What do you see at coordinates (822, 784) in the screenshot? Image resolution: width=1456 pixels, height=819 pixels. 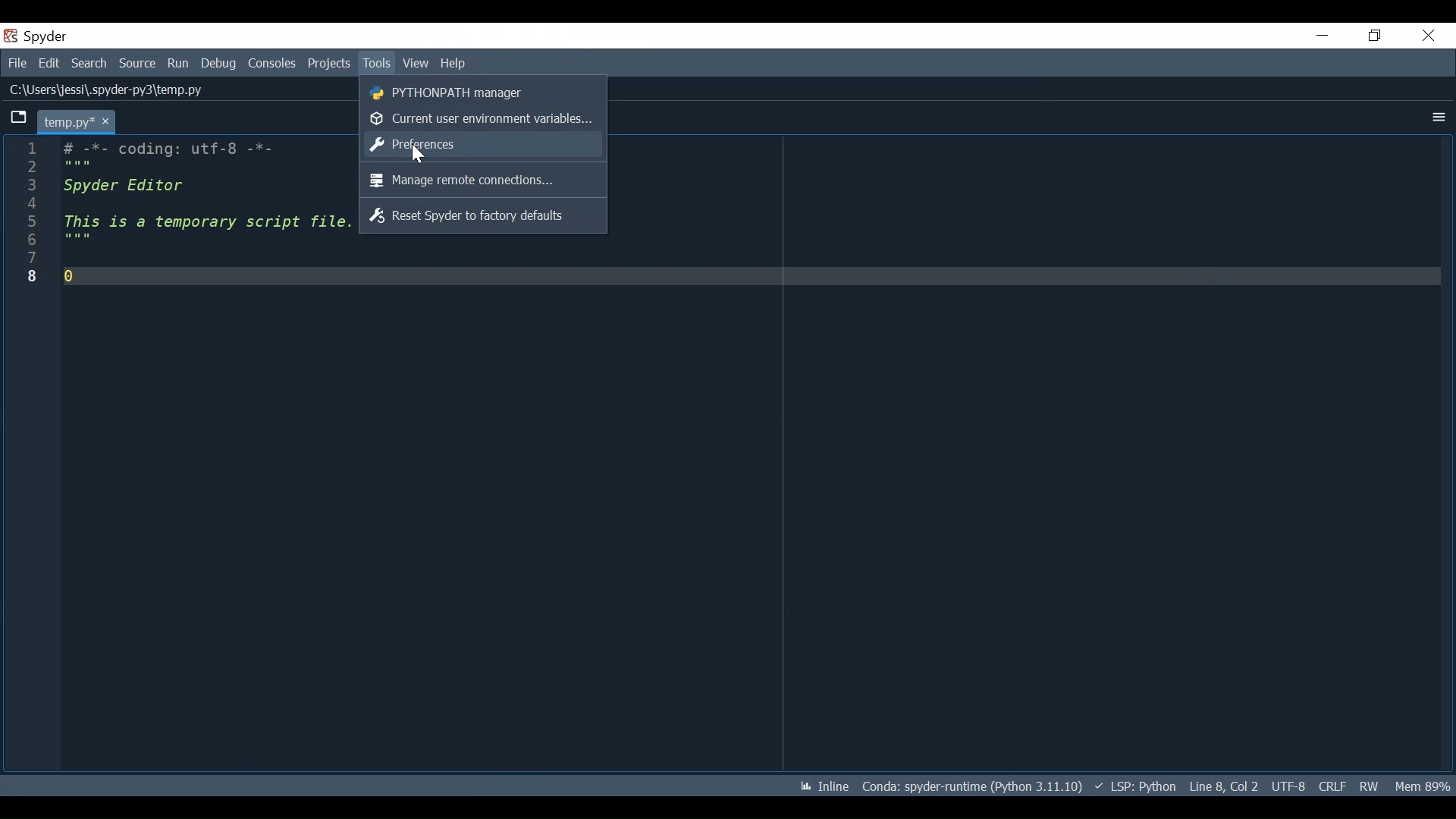 I see `Toggle inline and interactive Matplotlib plotting` at bounding box center [822, 784].